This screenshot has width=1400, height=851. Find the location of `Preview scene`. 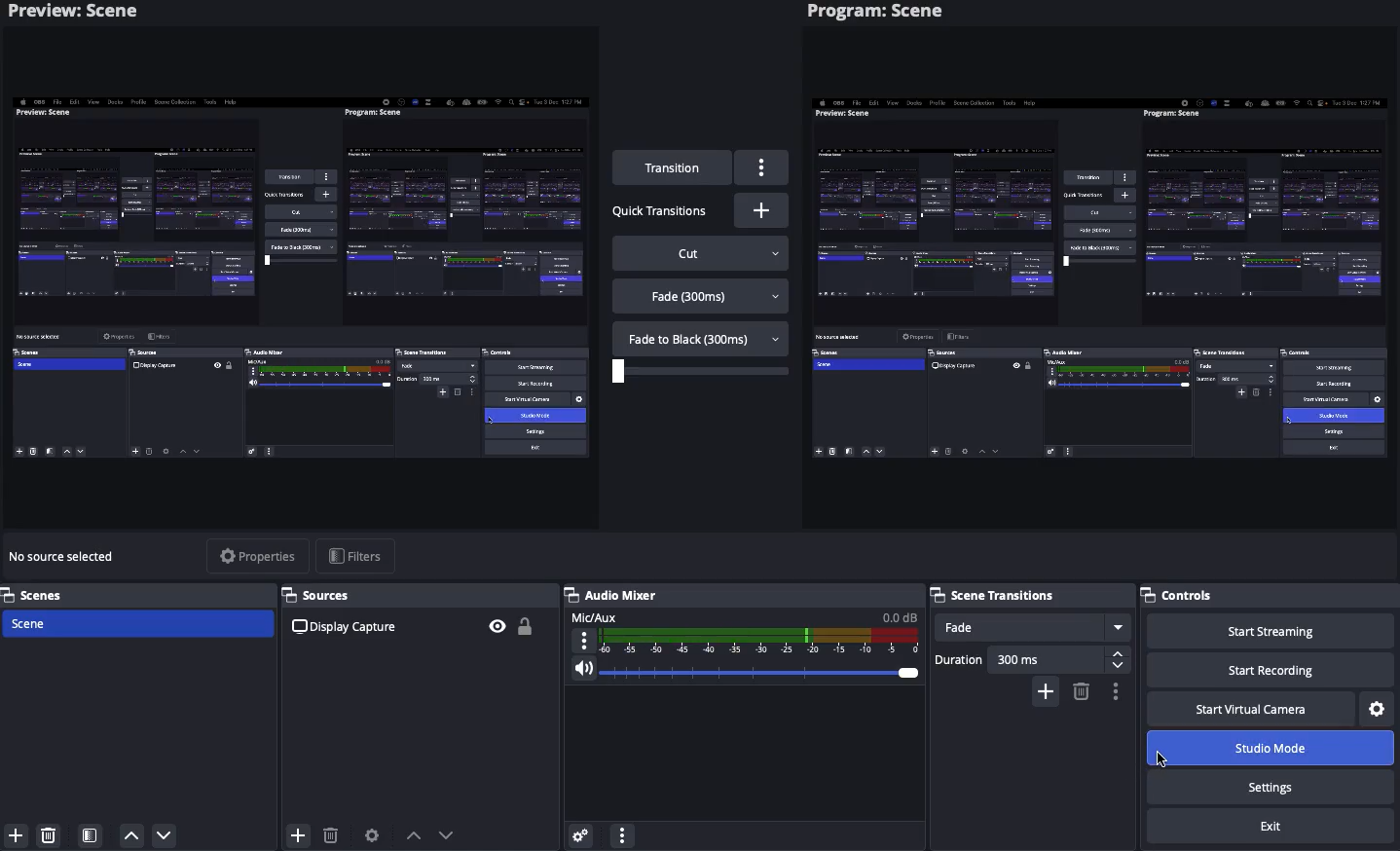

Preview scene is located at coordinates (87, 14).